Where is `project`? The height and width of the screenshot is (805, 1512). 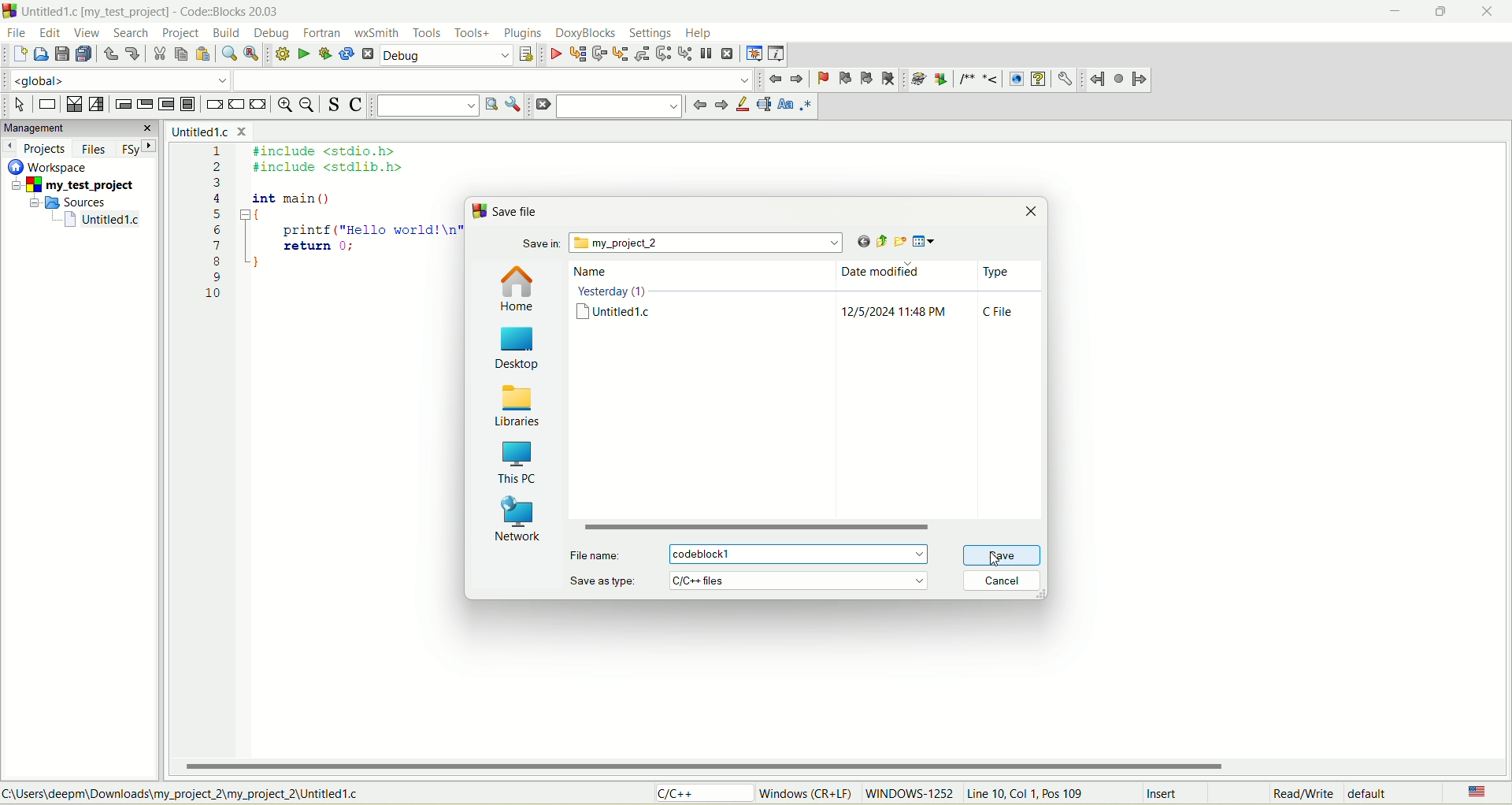 project is located at coordinates (76, 186).